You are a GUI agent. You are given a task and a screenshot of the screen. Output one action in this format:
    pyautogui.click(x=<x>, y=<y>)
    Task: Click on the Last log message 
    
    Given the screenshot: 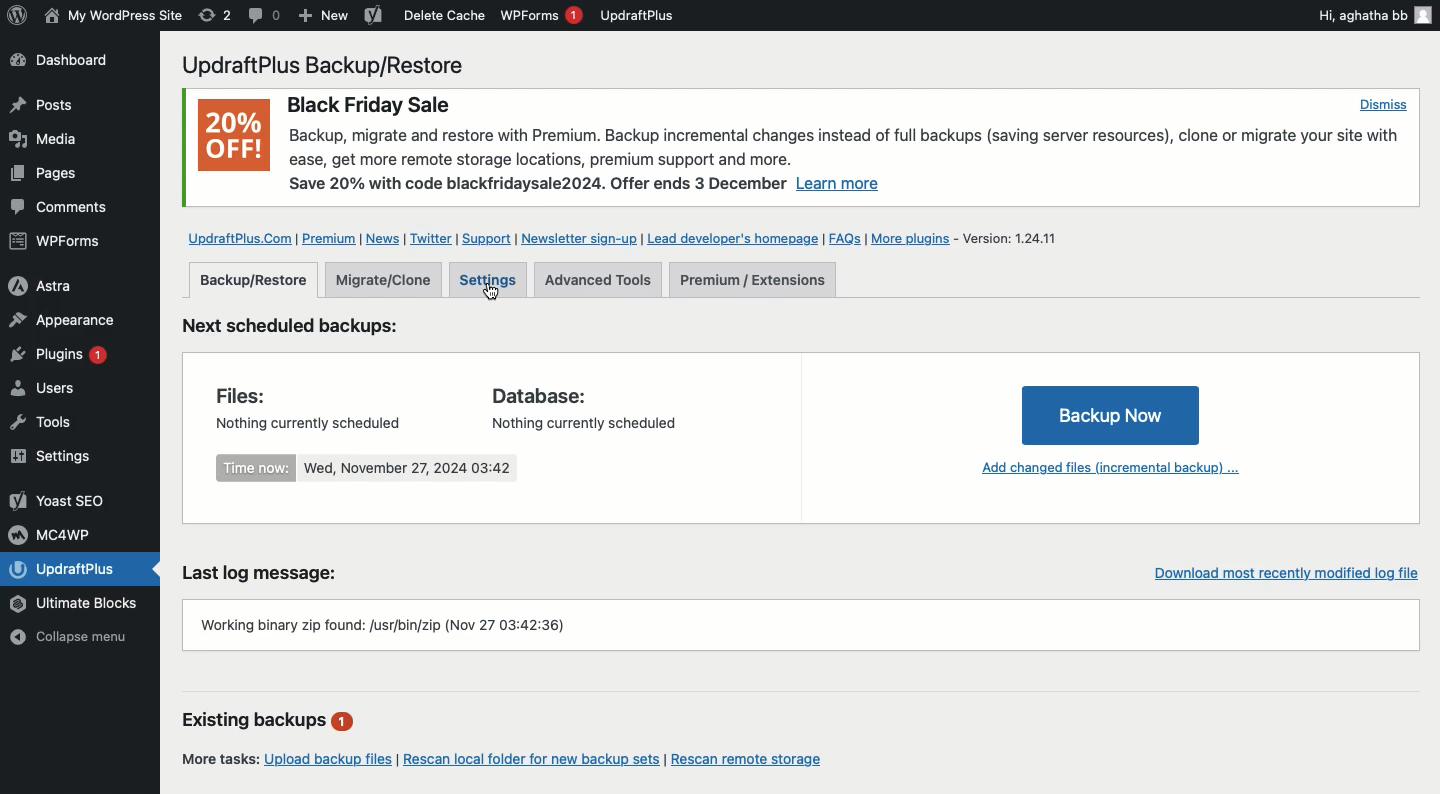 What is the action you would take?
    pyautogui.click(x=262, y=574)
    